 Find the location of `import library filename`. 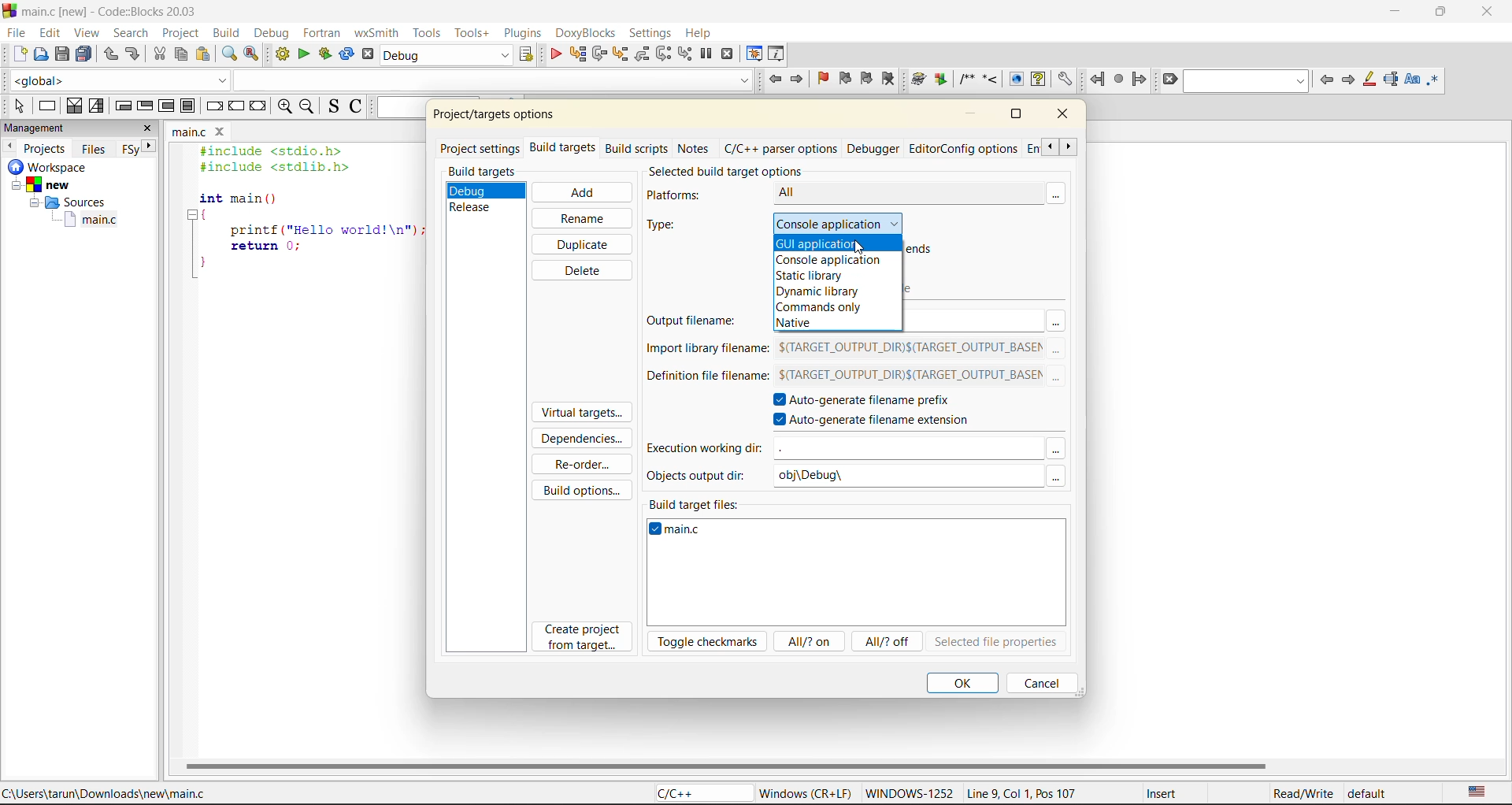

import library filename is located at coordinates (706, 347).